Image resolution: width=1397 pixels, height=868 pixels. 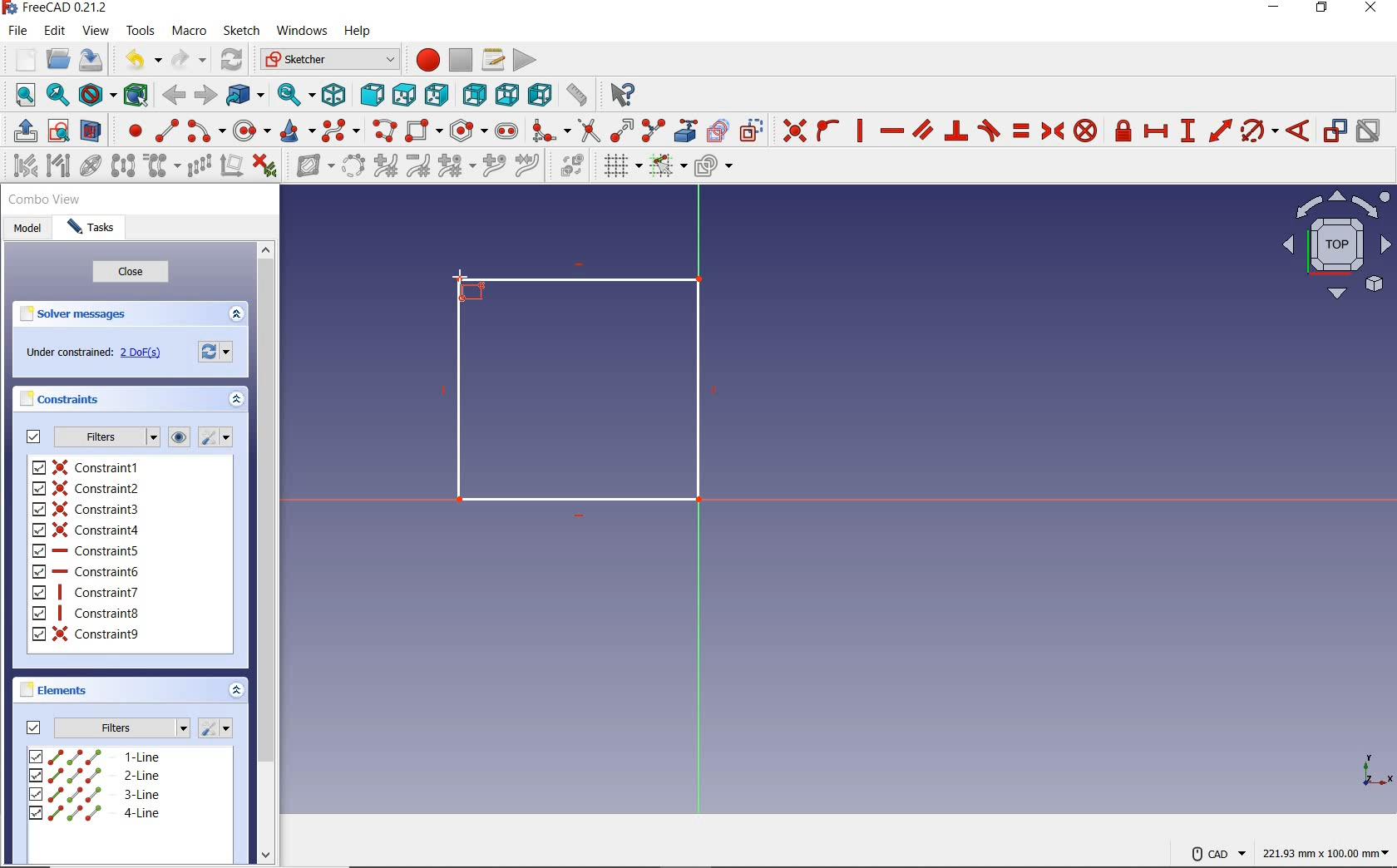 I want to click on join curves, so click(x=528, y=167).